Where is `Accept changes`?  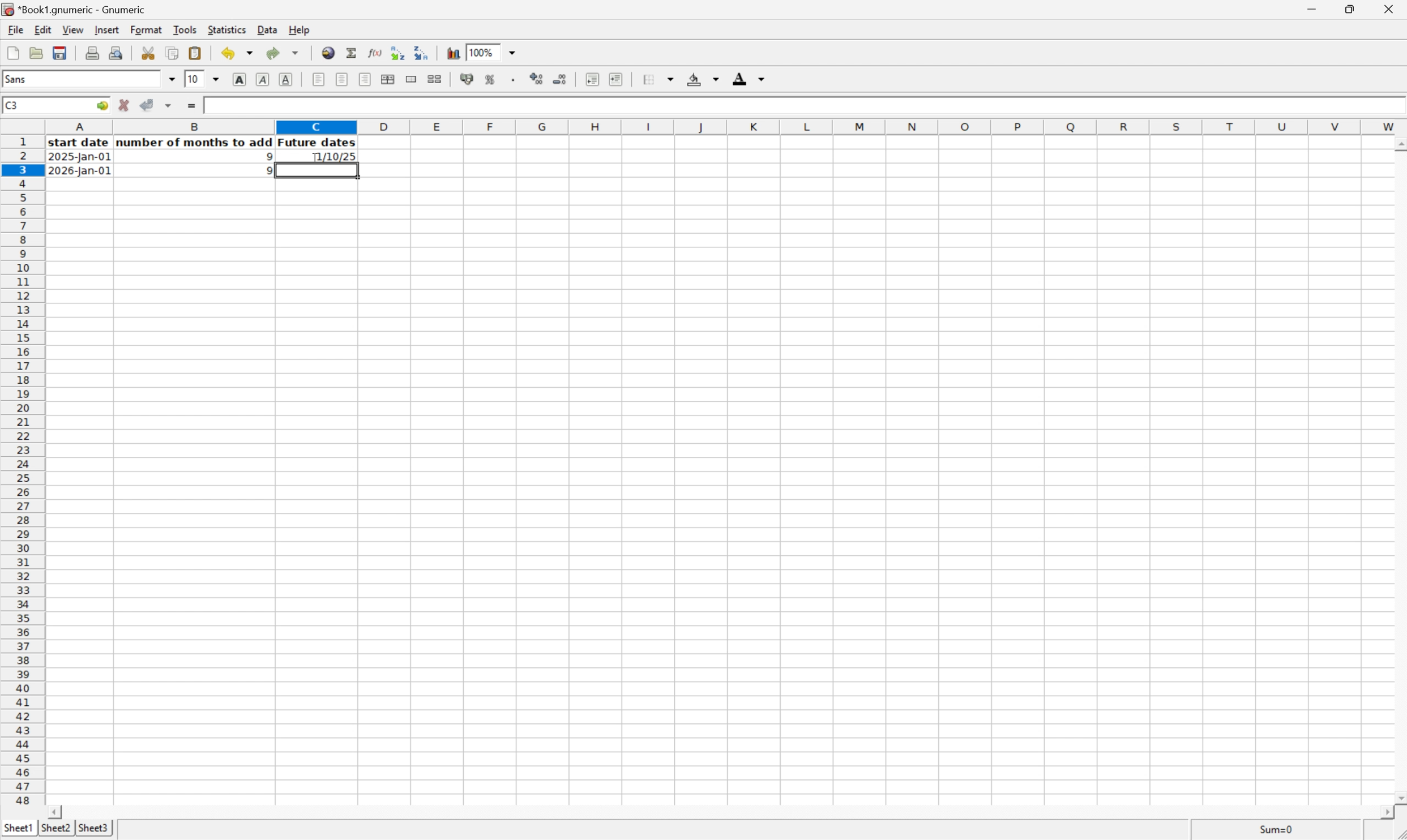
Accept changes is located at coordinates (148, 105).